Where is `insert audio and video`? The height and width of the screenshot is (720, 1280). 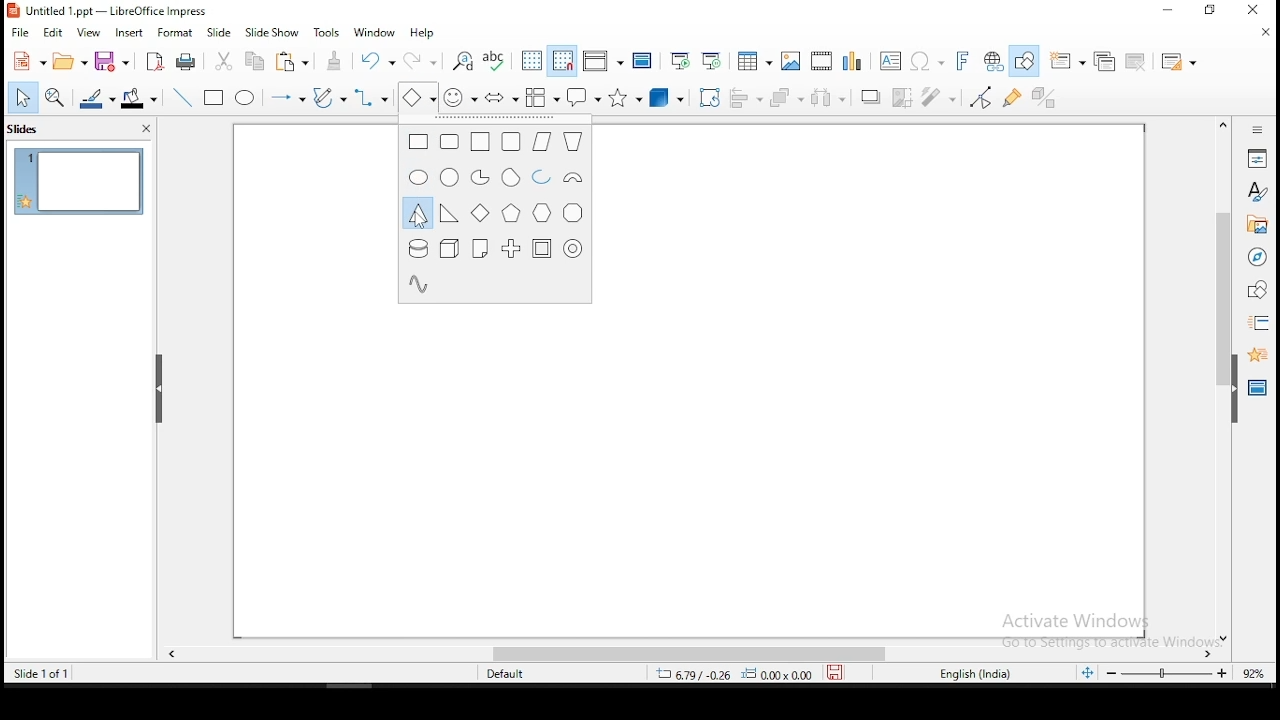
insert audio and video is located at coordinates (821, 59).